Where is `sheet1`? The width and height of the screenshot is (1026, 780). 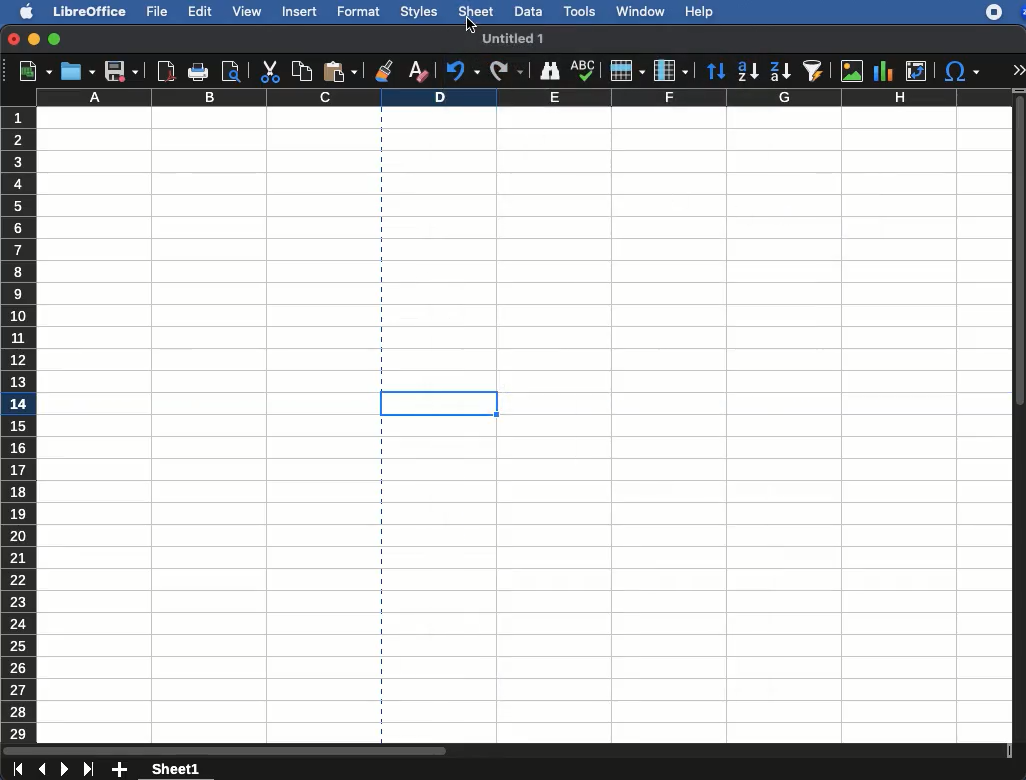
sheet1 is located at coordinates (177, 768).